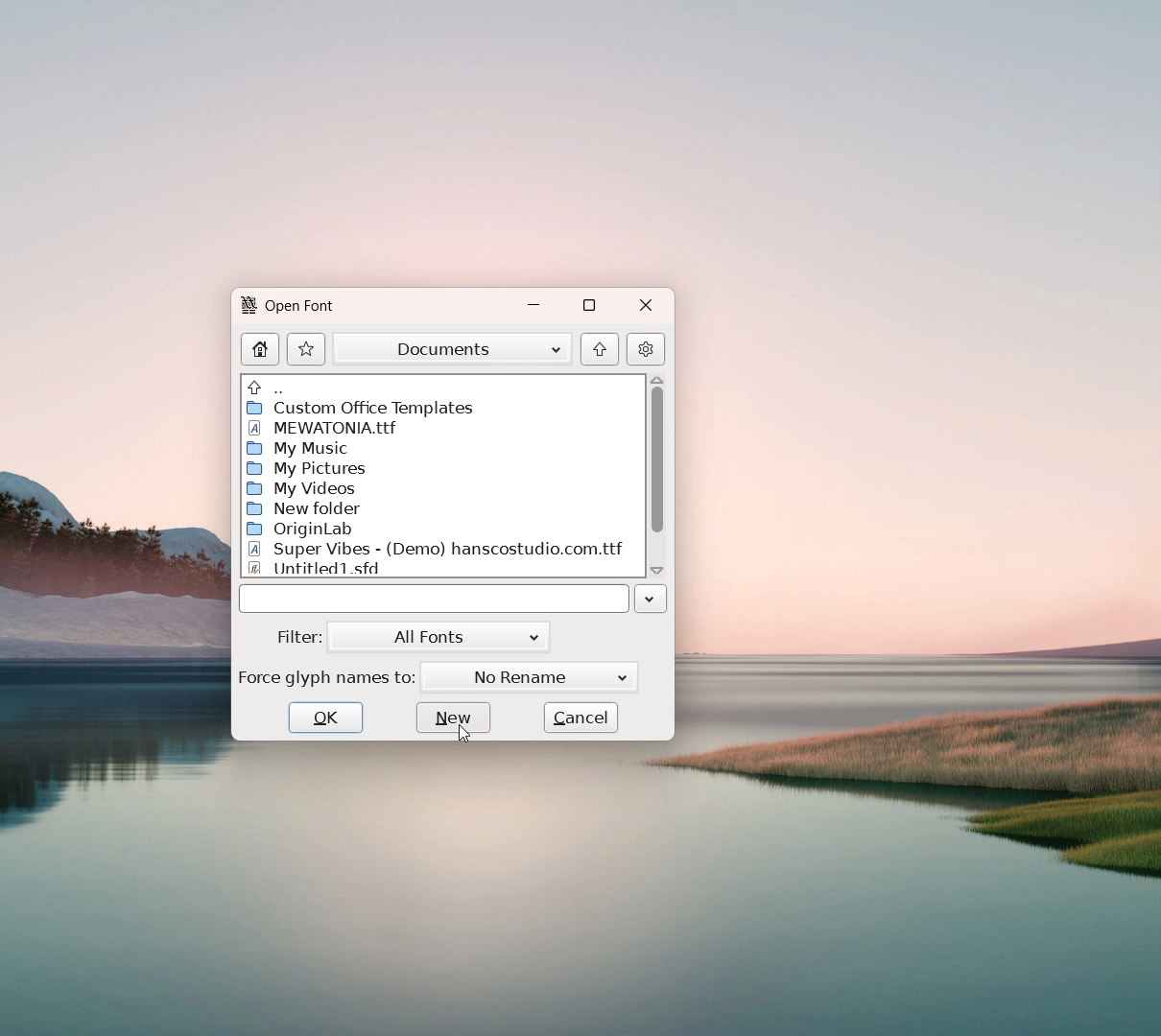 This screenshot has width=1161, height=1036. Describe the element at coordinates (652, 600) in the screenshot. I see `click to see previous file locations` at that location.